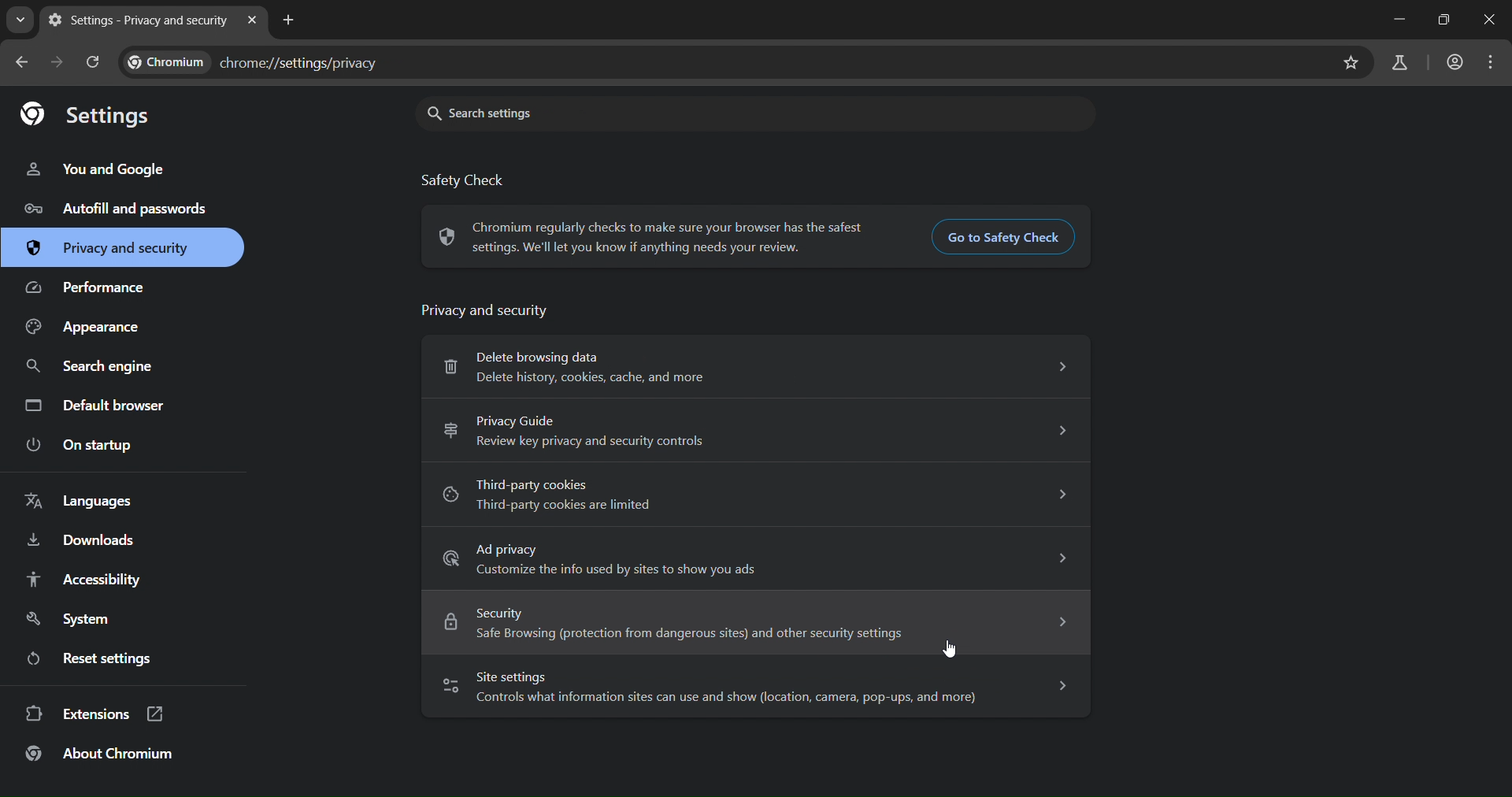 This screenshot has width=1512, height=797. I want to click on go forward one page, so click(57, 61).